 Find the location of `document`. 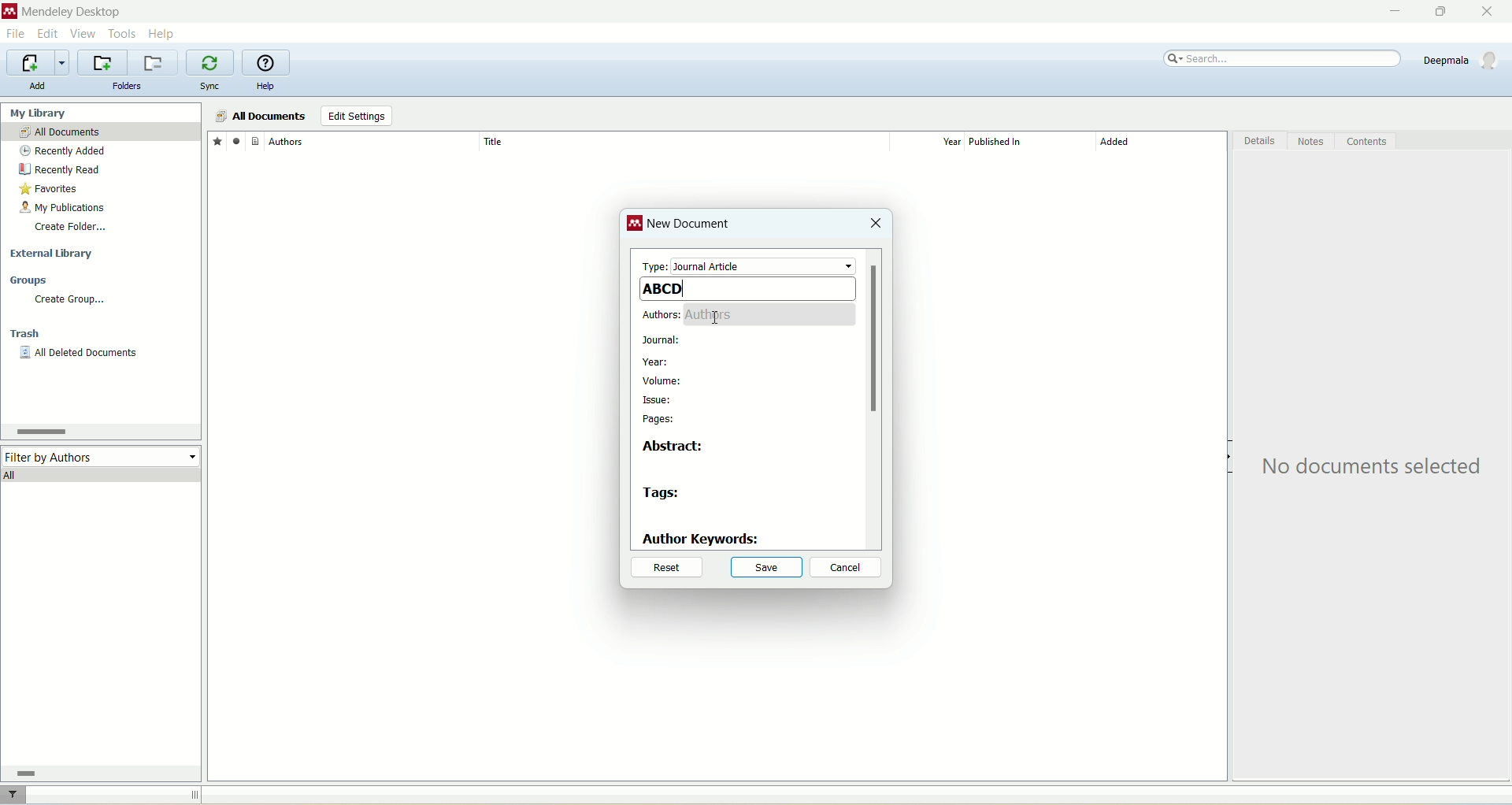

document is located at coordinates (255, 140).